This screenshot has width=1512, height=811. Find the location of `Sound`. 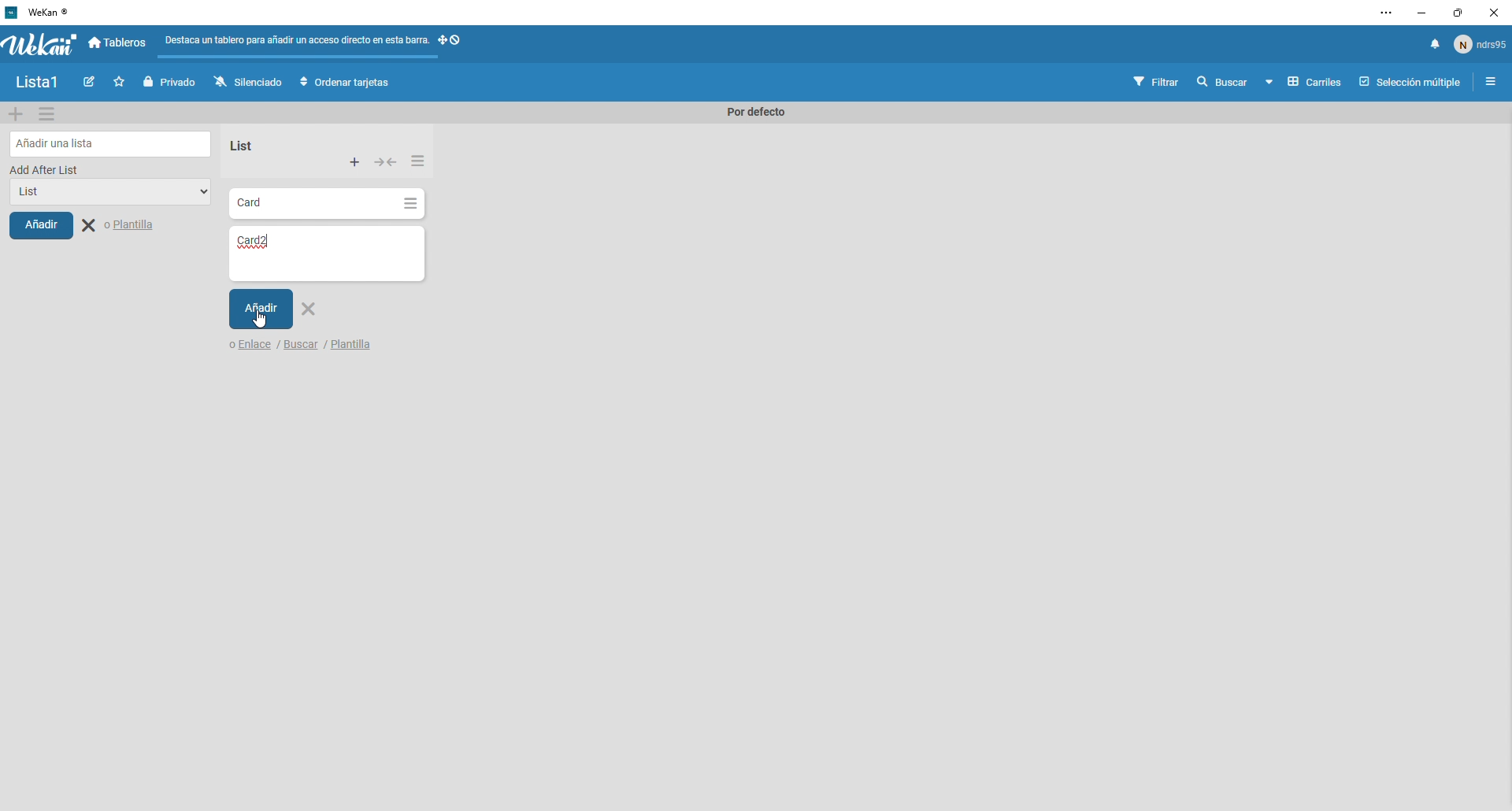

Sound is located at coordinates (1435, 45).